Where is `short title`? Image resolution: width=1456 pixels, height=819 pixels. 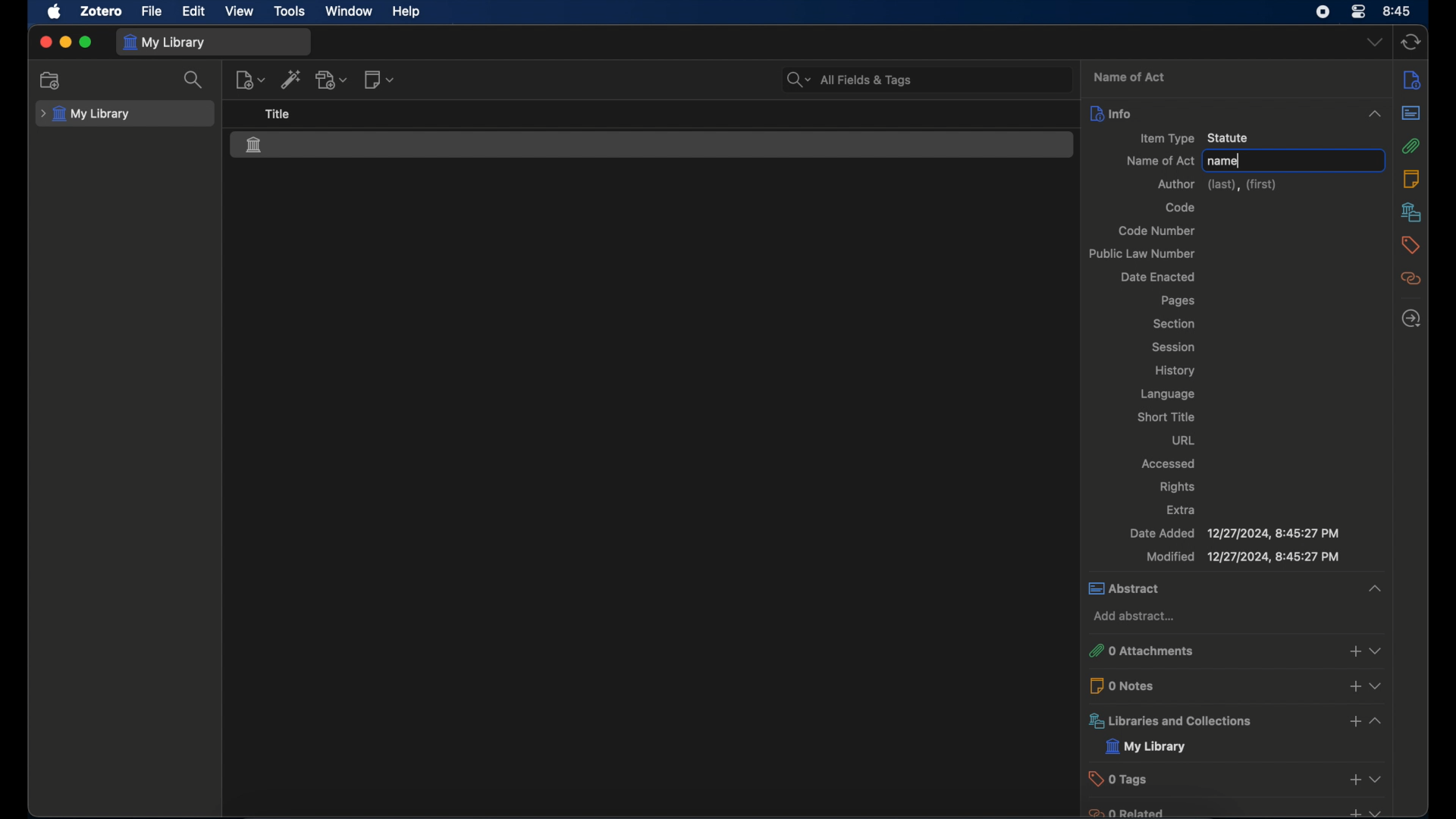 short title is located at coordinates (1170, 416).